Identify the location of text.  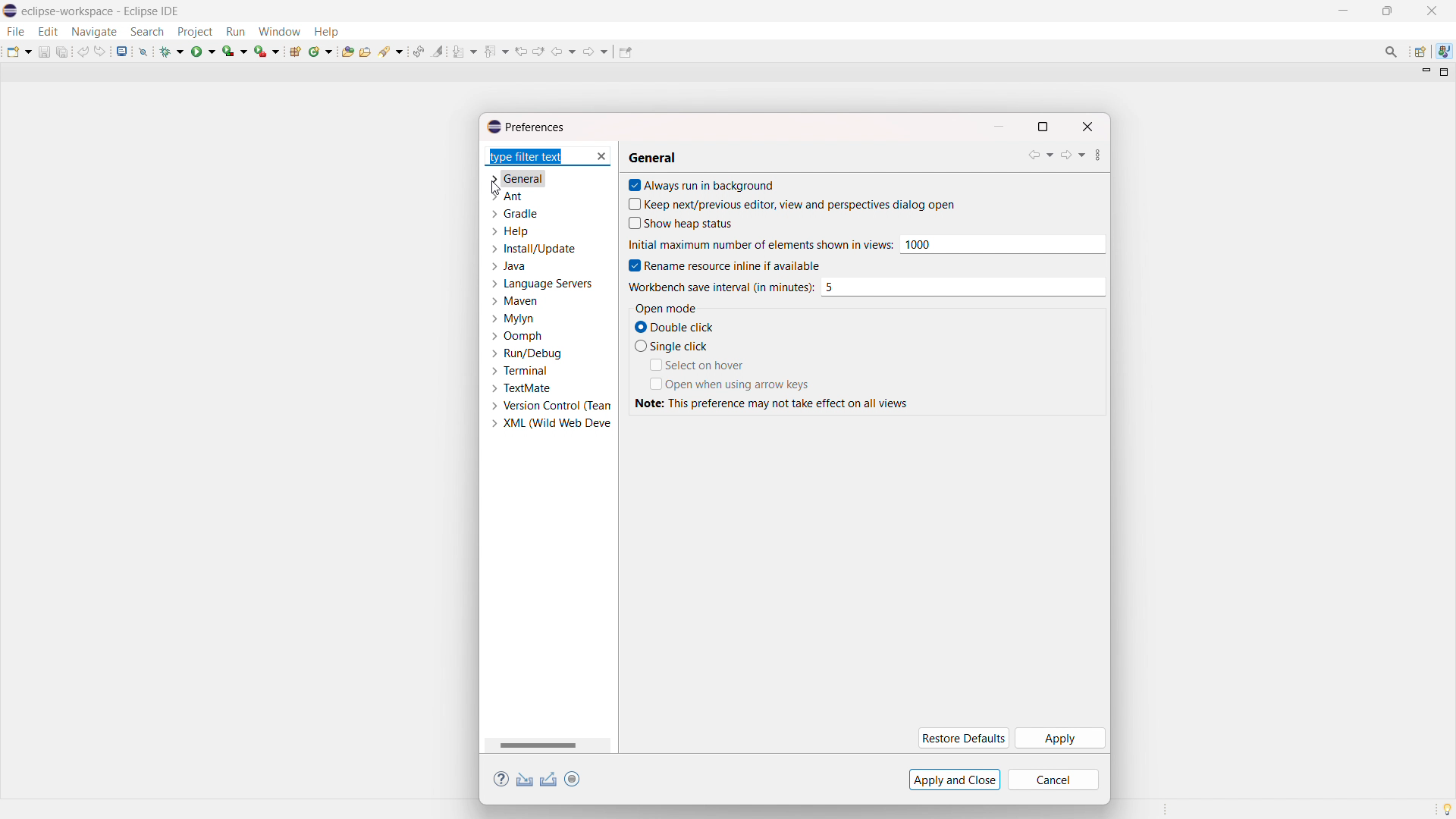
(775, 403).